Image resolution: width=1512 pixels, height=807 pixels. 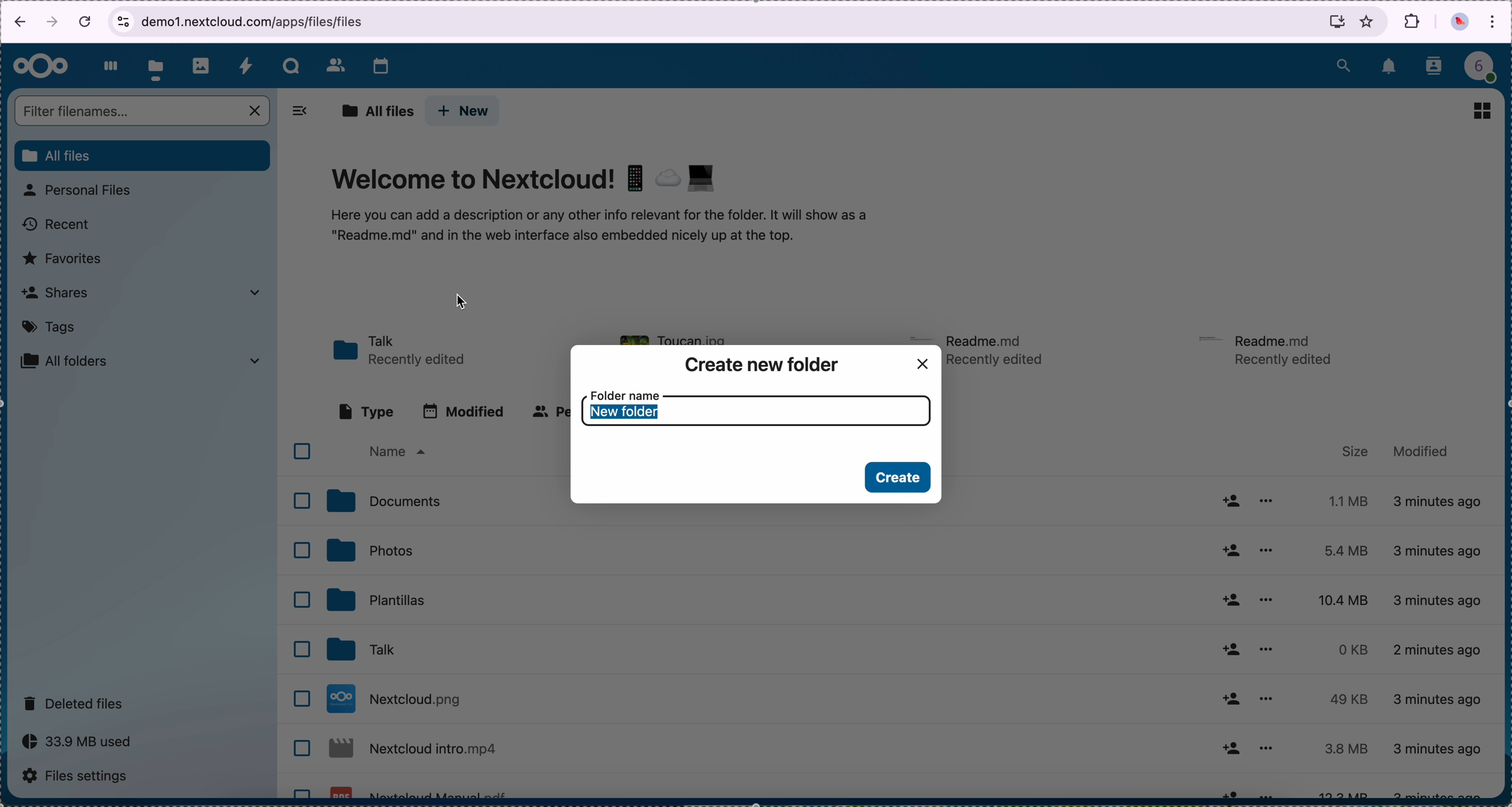 I want to click on URL, so click(x=248, y=21).